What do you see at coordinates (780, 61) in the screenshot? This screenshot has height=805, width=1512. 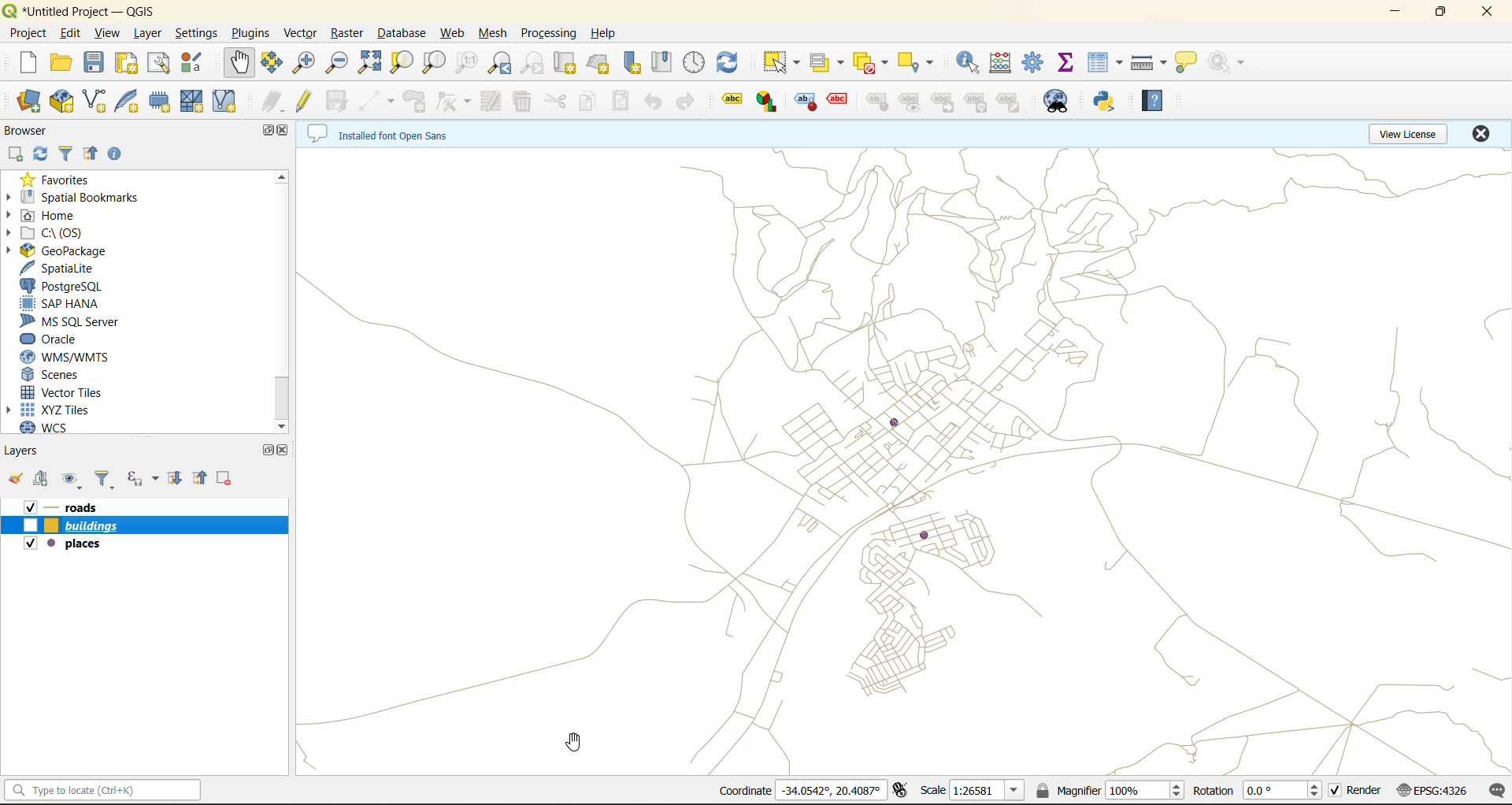 I see `select` at bounding box center [780, 61].